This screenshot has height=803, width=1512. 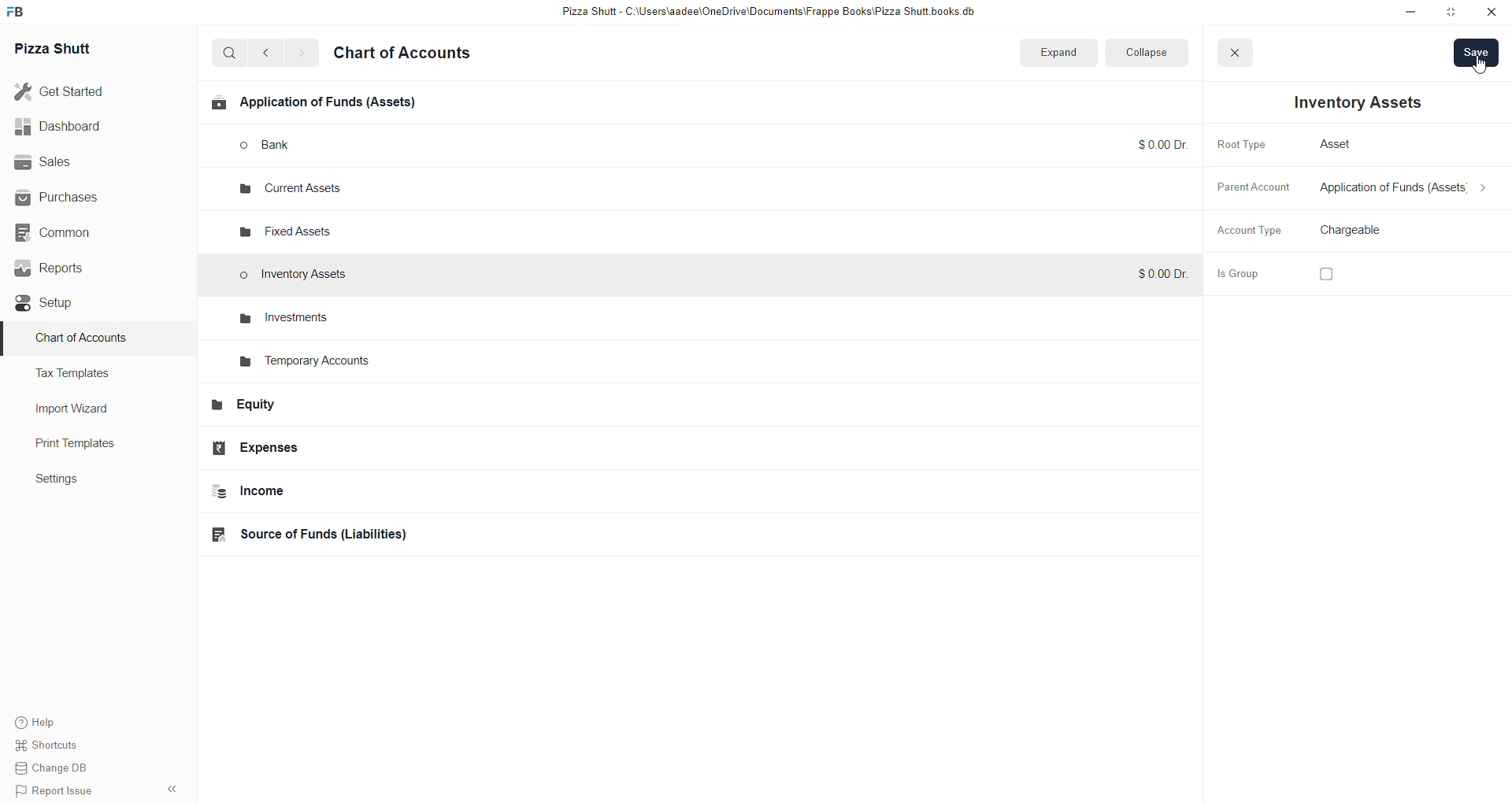 What do you see at coordinates (69, 91) in the screenshot?
I see `Get started ` at bounding box center [69, 91].